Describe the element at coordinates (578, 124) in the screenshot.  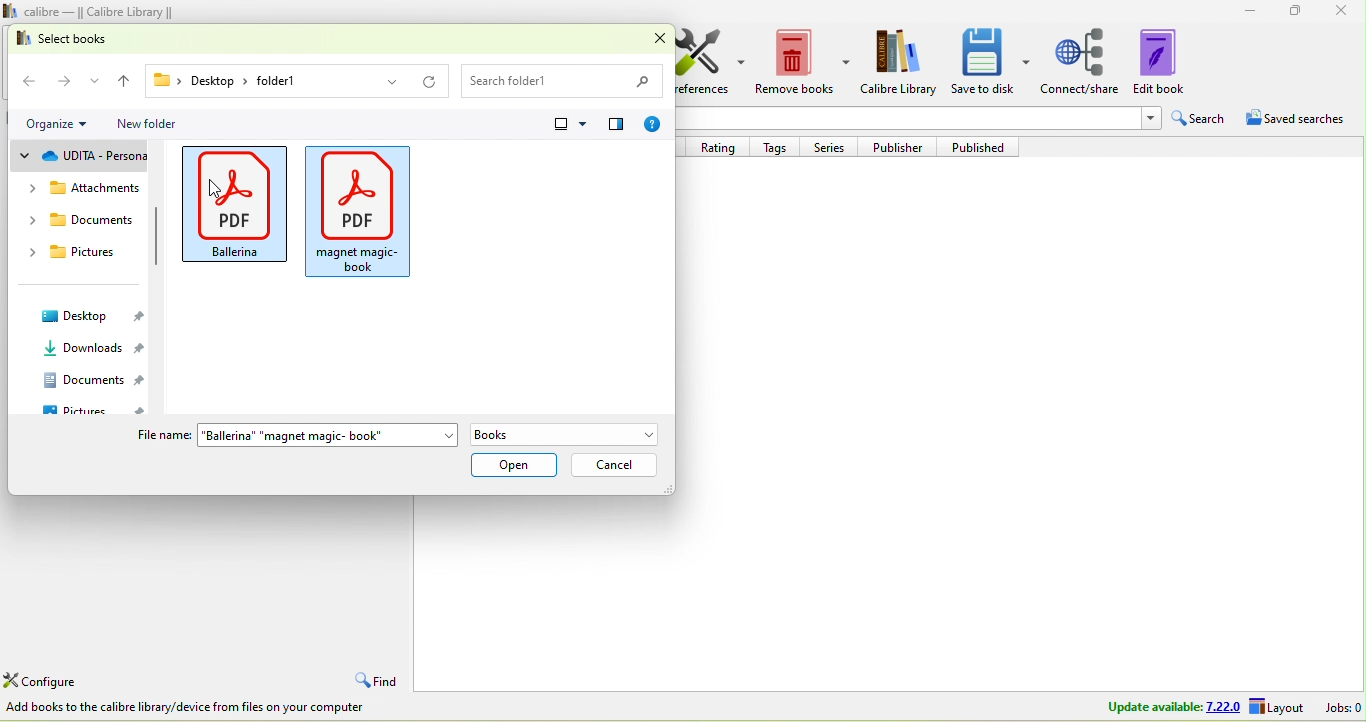
I see `view` at that location.